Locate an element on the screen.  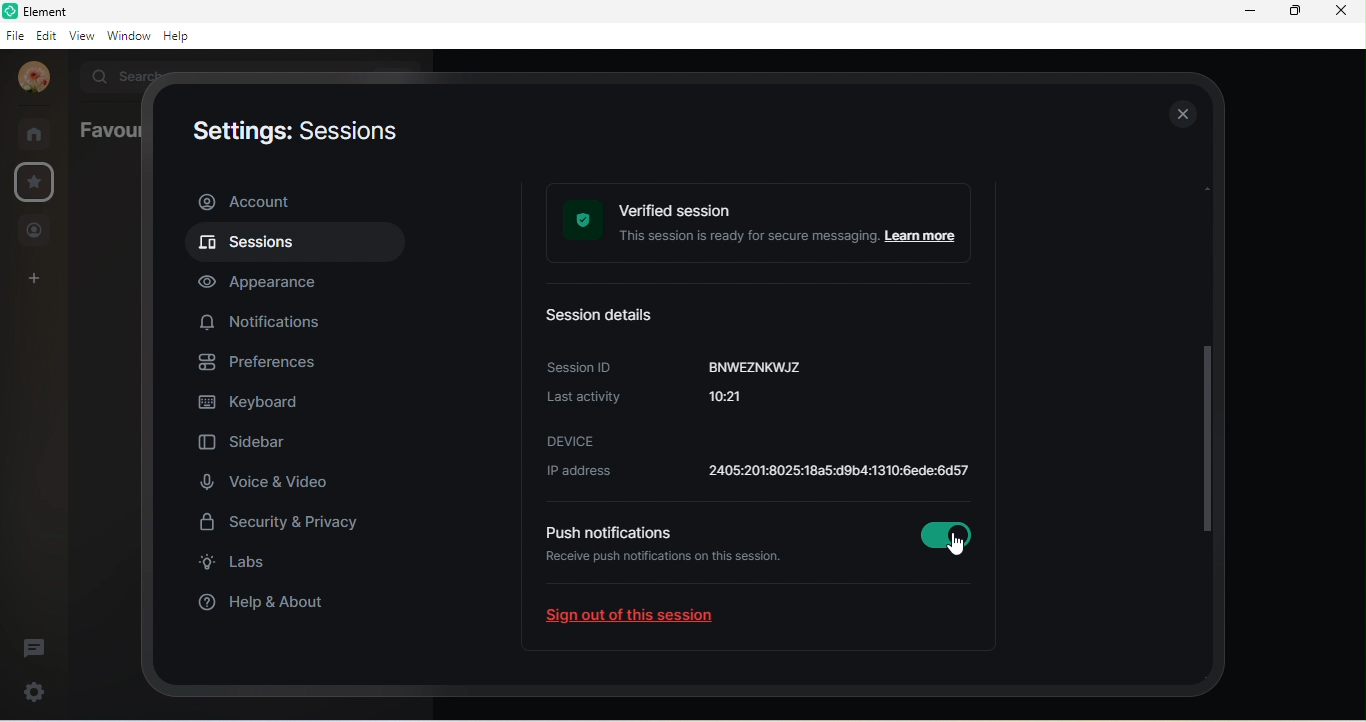
edit is located at coordinates (47, 35).